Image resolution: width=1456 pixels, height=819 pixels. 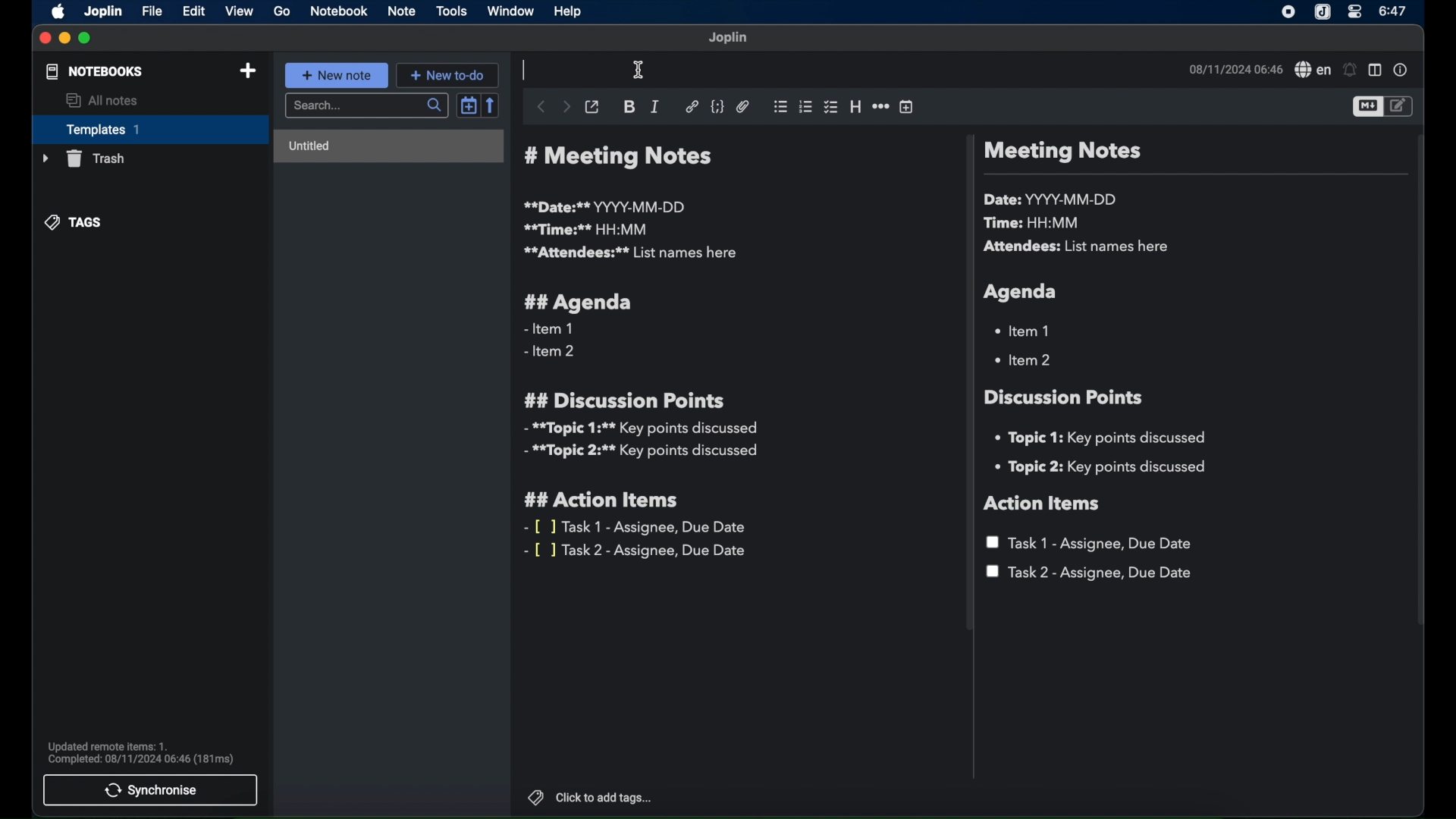 What do you see at coordinates (805, 107) in the screenshot?
I see `numbered list` at bounding box center [805, 107].